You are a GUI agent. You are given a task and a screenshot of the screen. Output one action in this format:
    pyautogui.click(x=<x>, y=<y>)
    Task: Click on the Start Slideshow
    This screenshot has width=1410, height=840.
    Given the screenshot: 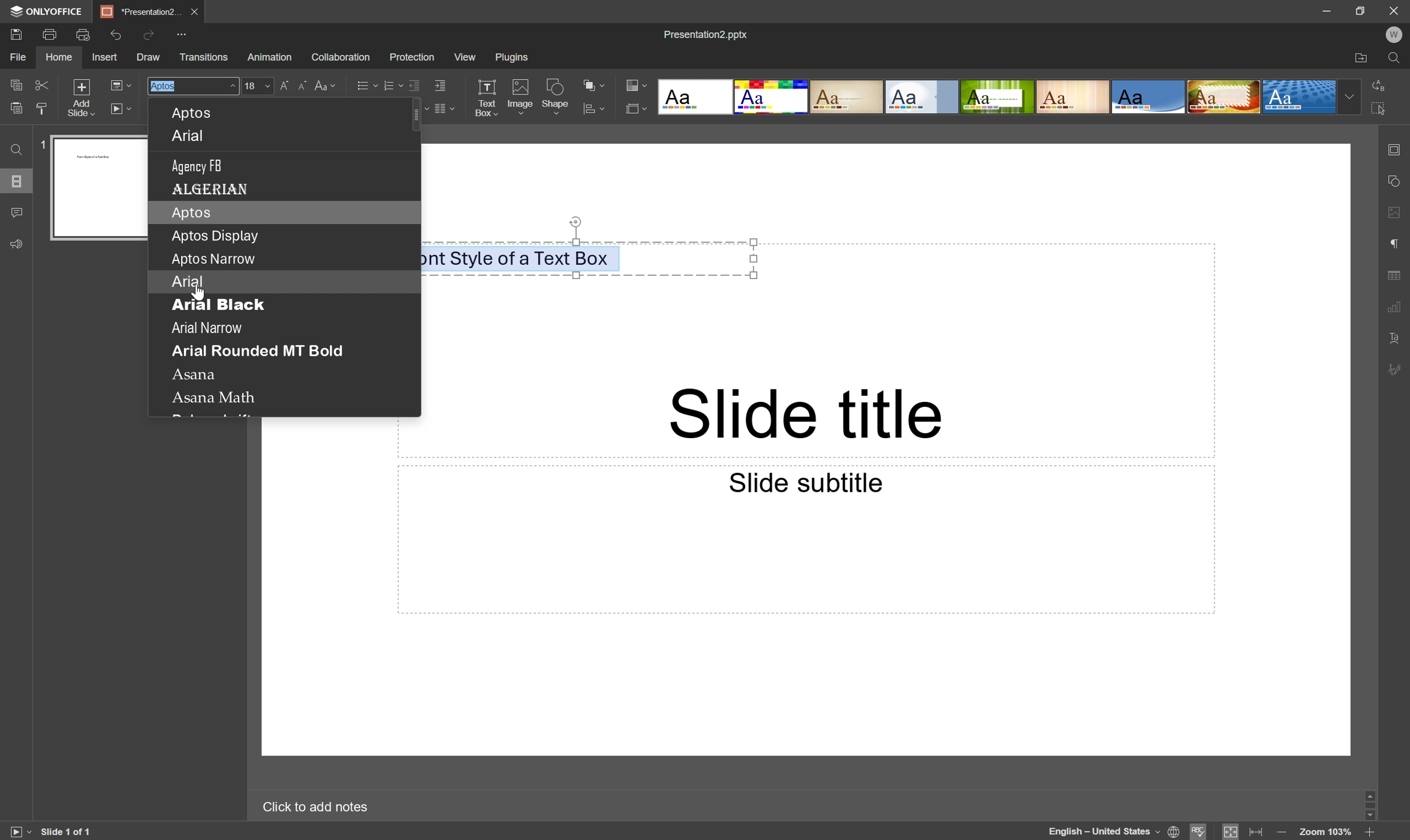 What is the action you would take?
    pyautogui.click(x=19, y=832)
    